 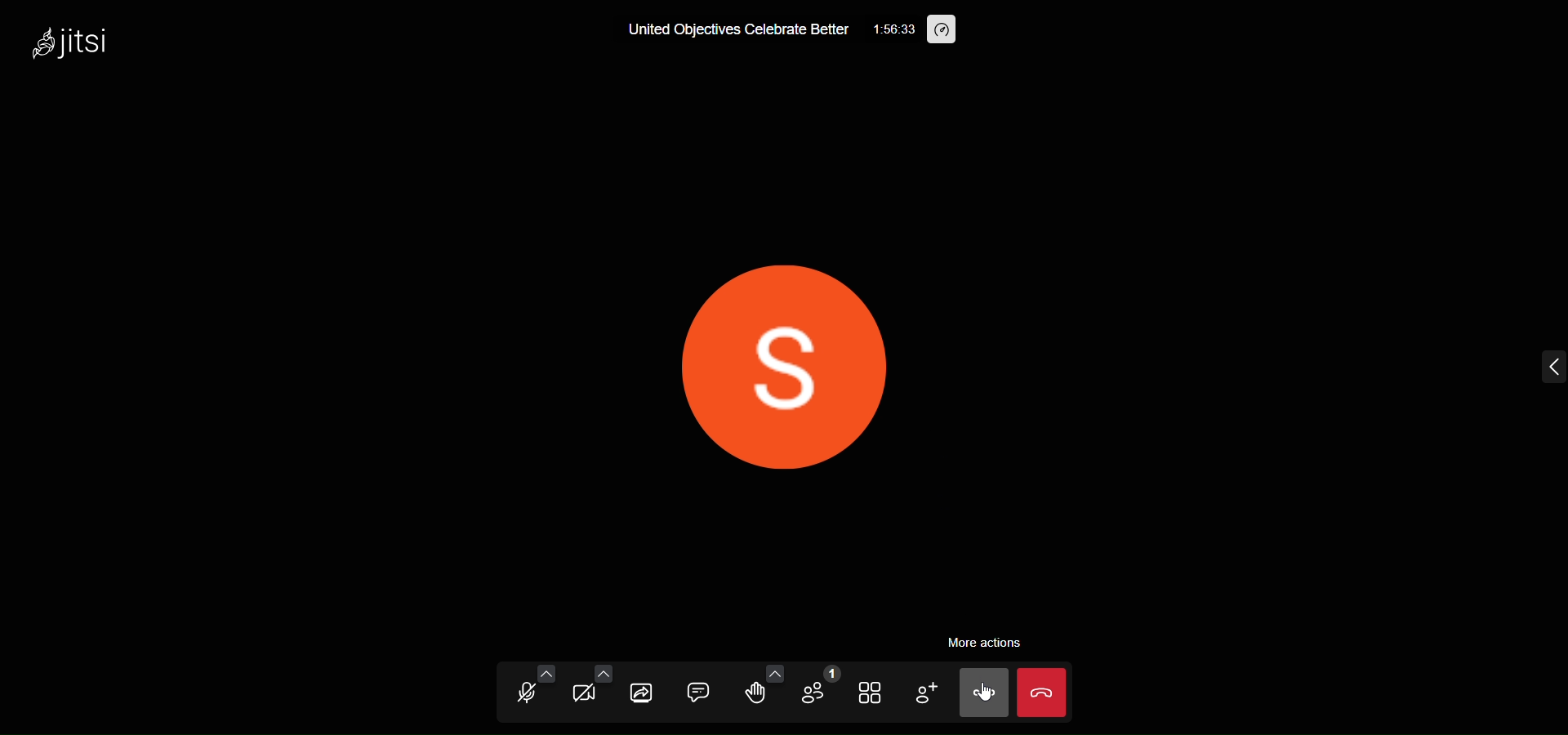 I want to click on share screen, so click(x=643, y=693).